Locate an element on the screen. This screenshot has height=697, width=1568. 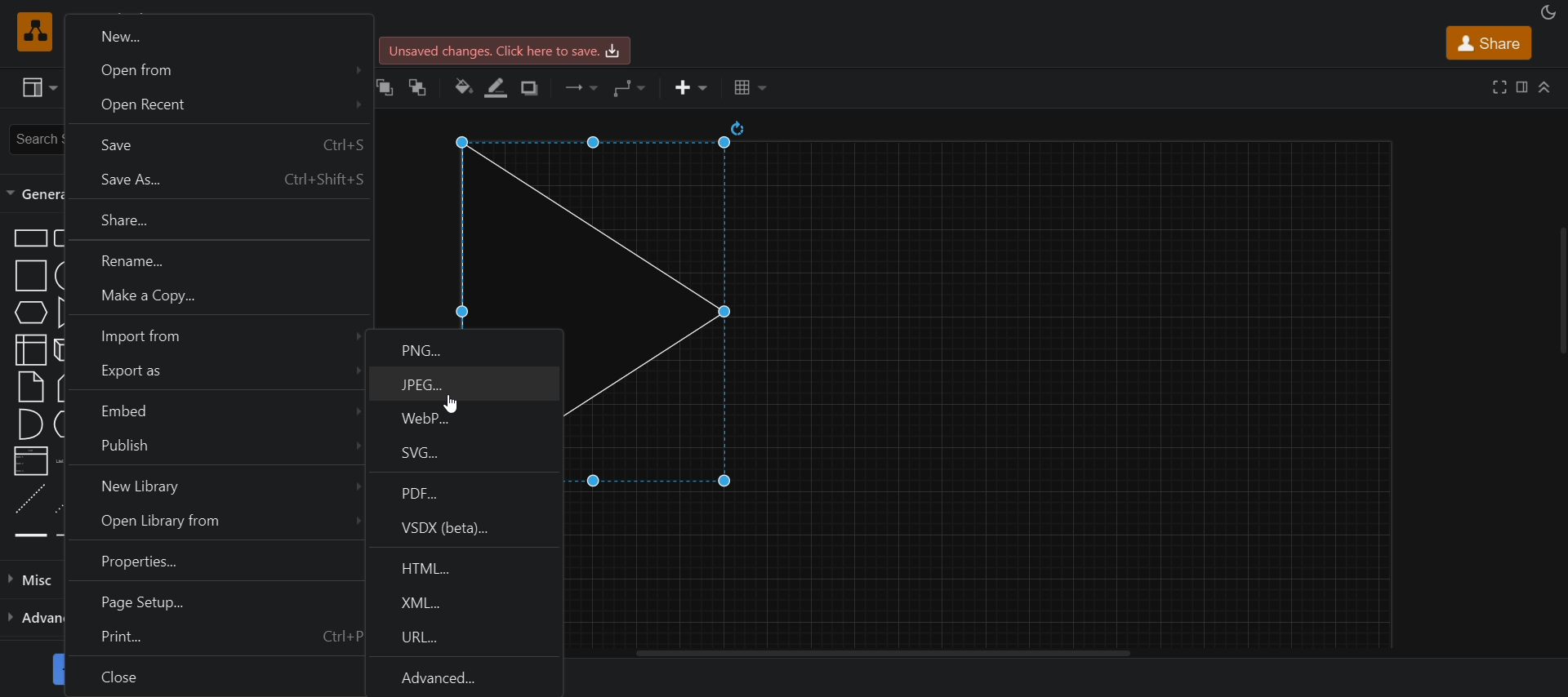
note is located at coordinates (29, 386).